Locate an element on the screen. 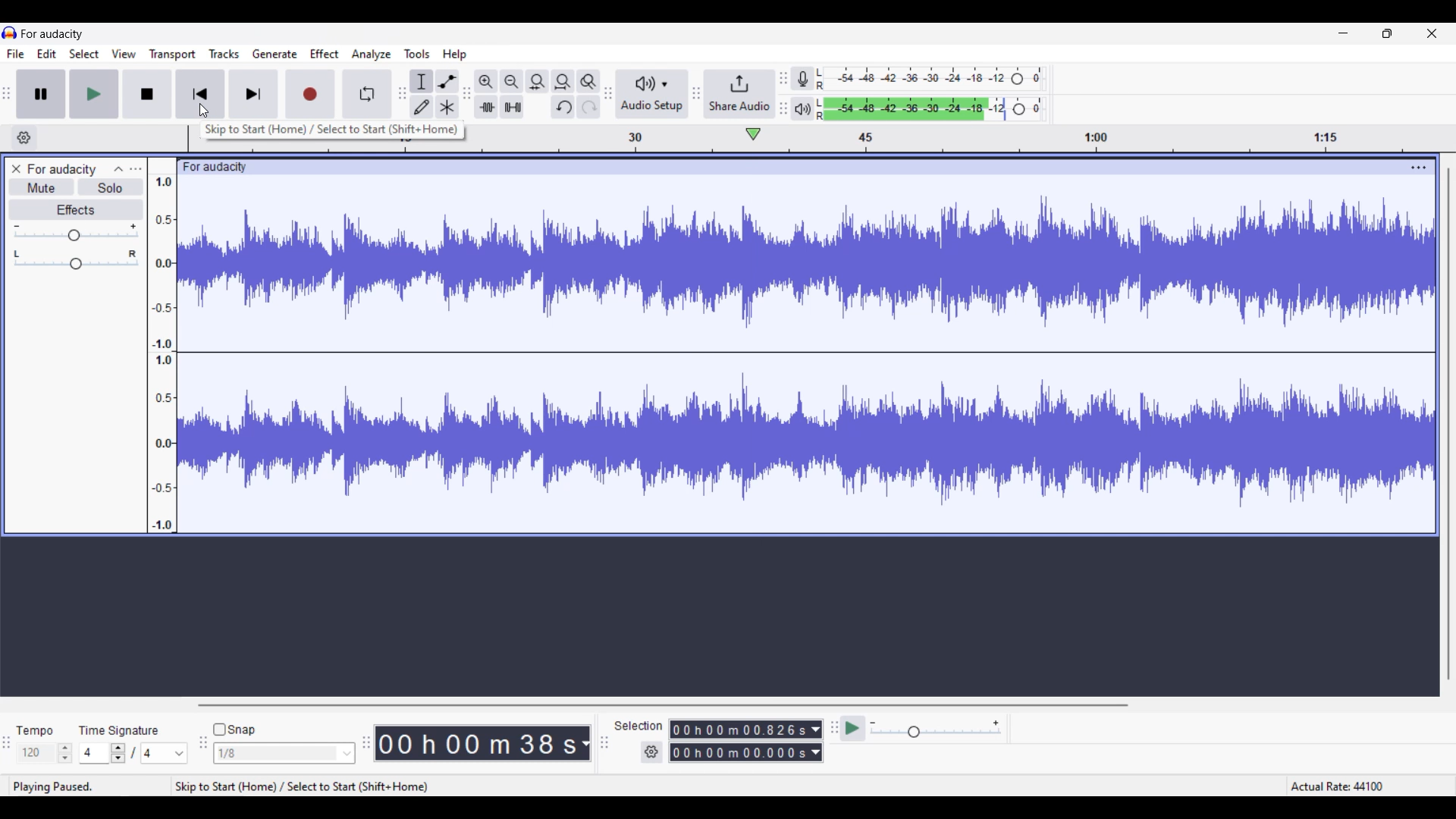 The width and height of the screenshot is (1456, 819). Effect menu is located at coordinates (325, 54).